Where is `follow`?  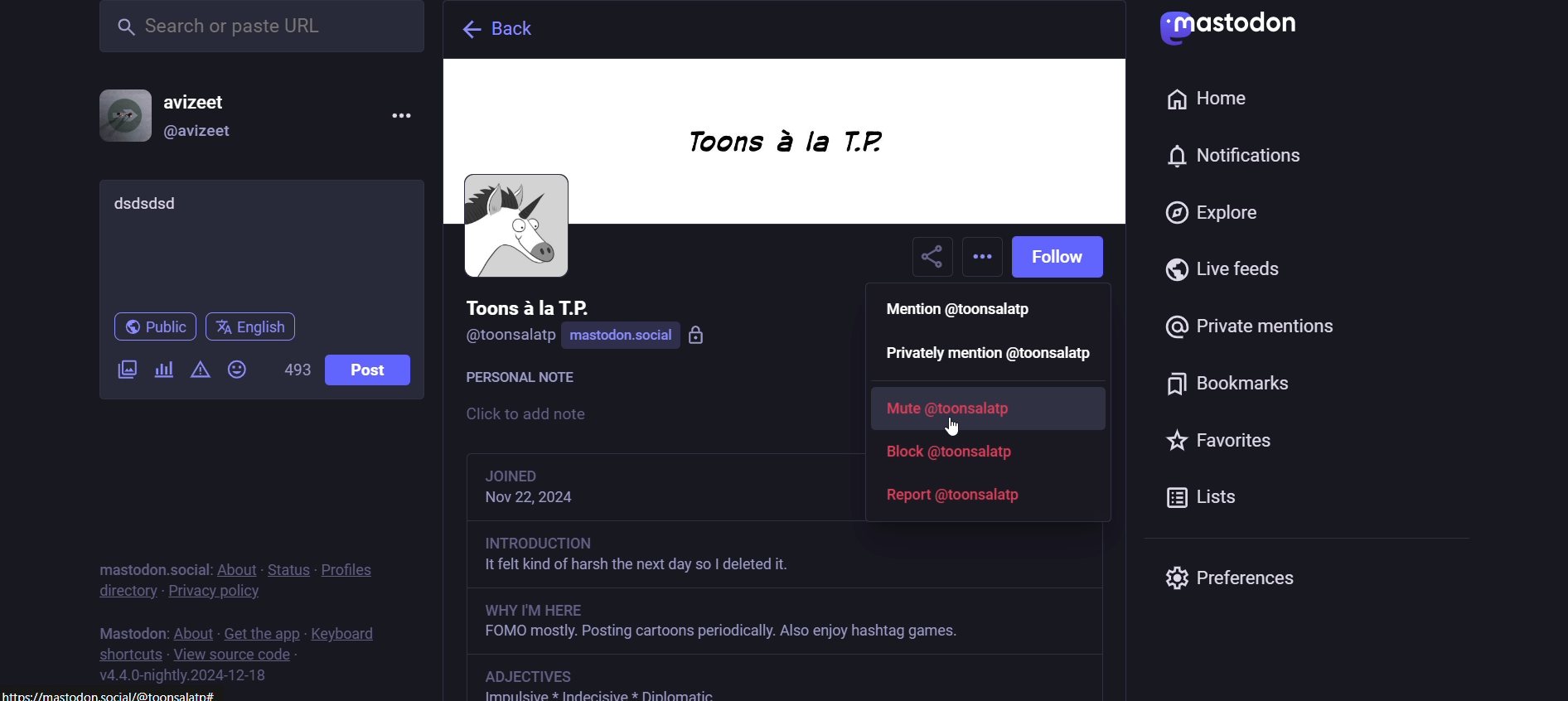
follow is located at coordinates (1063, 257).